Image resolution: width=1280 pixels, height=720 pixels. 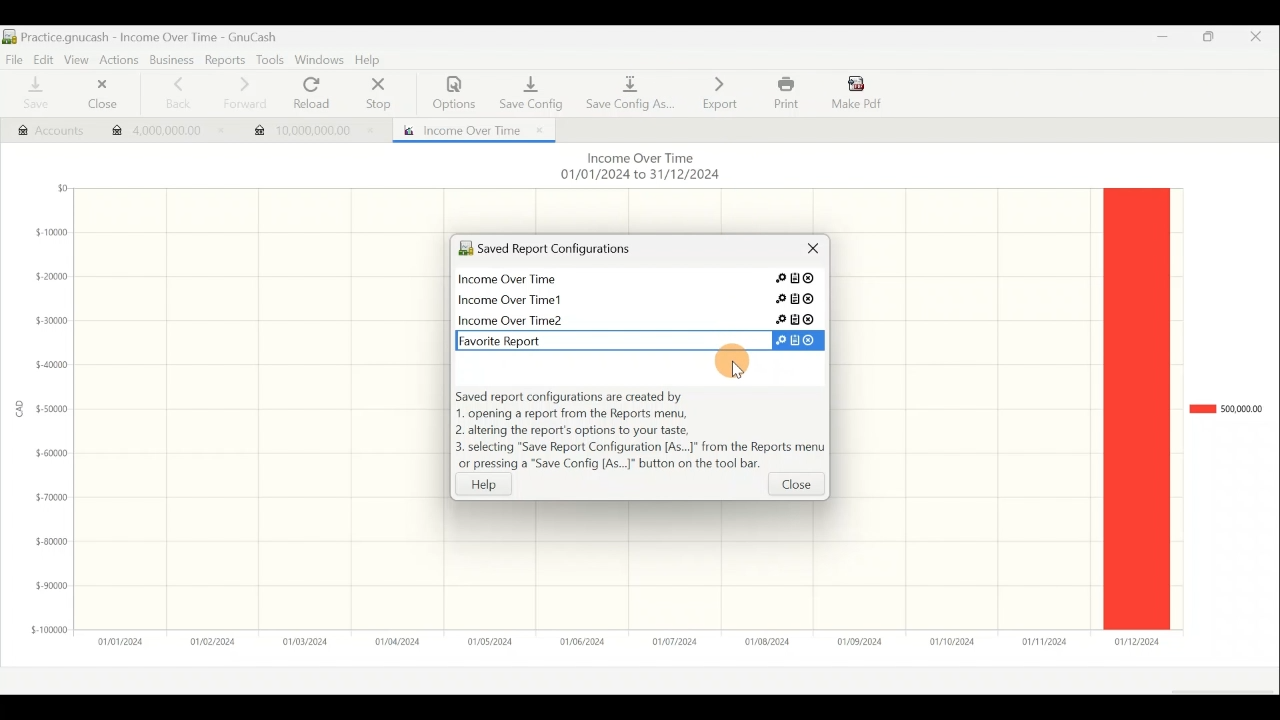 I want to click on Reports, so click(x=227, y=60).